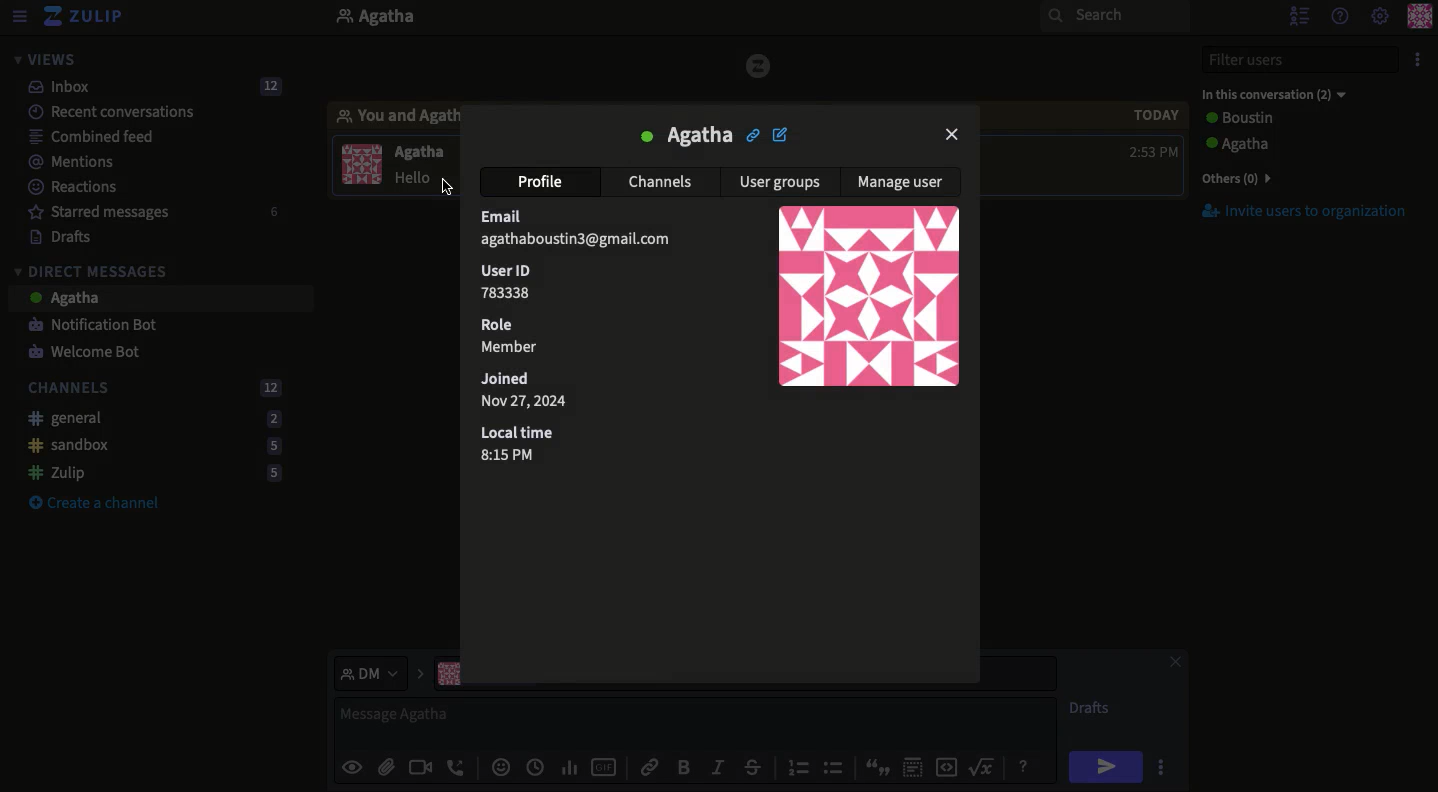 The height and width of the screenshot is (792, 1438). What do you see at coordinates (506, 281) in the screenshot?
I see `User ID` at bounding box center [506, 281].